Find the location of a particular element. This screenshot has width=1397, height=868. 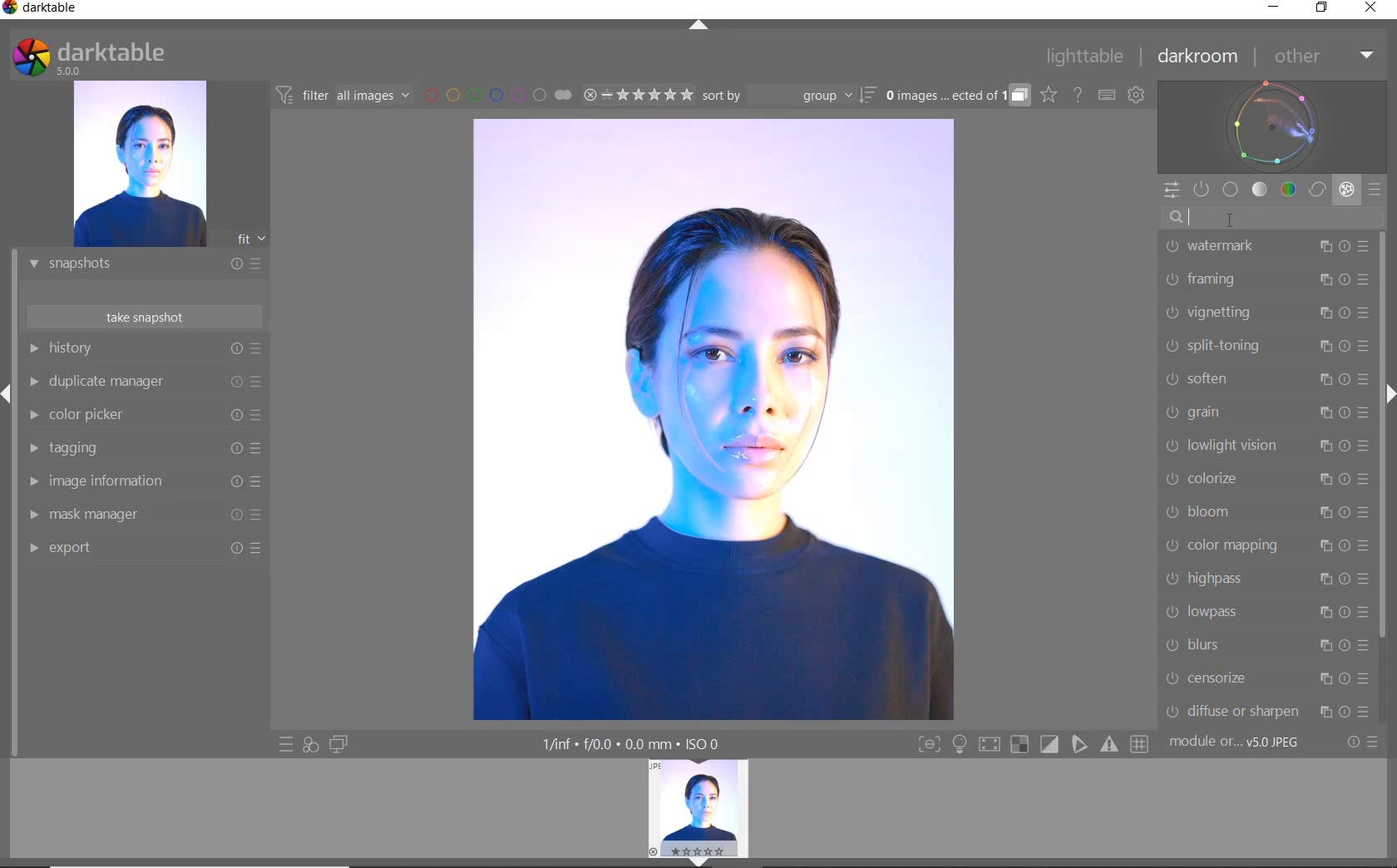

IMAGE PREVIEW is located at coordinates (139, 165).